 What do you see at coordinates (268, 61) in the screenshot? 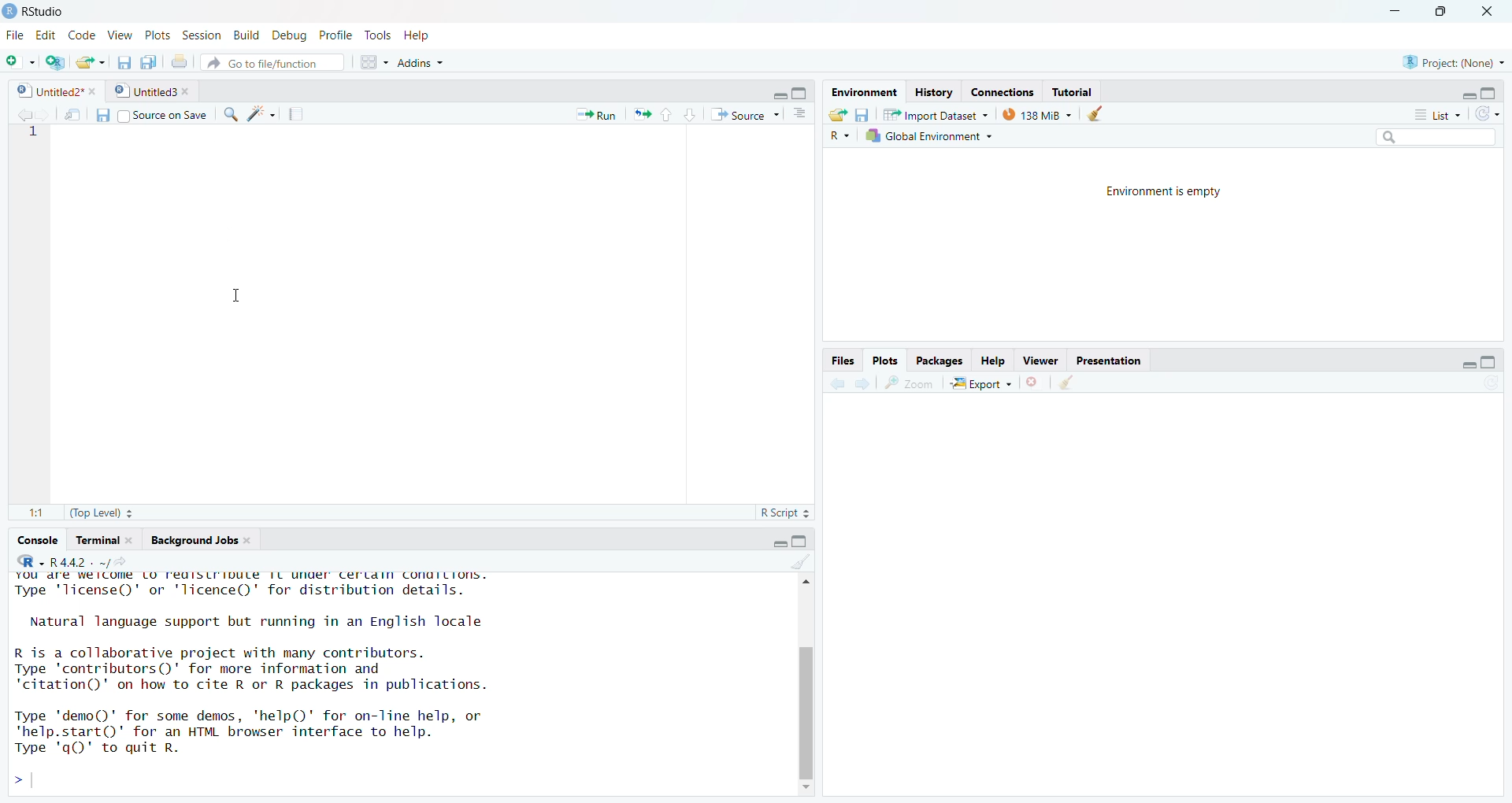
I see `Go to file/function` at bounding box center [268, 61].